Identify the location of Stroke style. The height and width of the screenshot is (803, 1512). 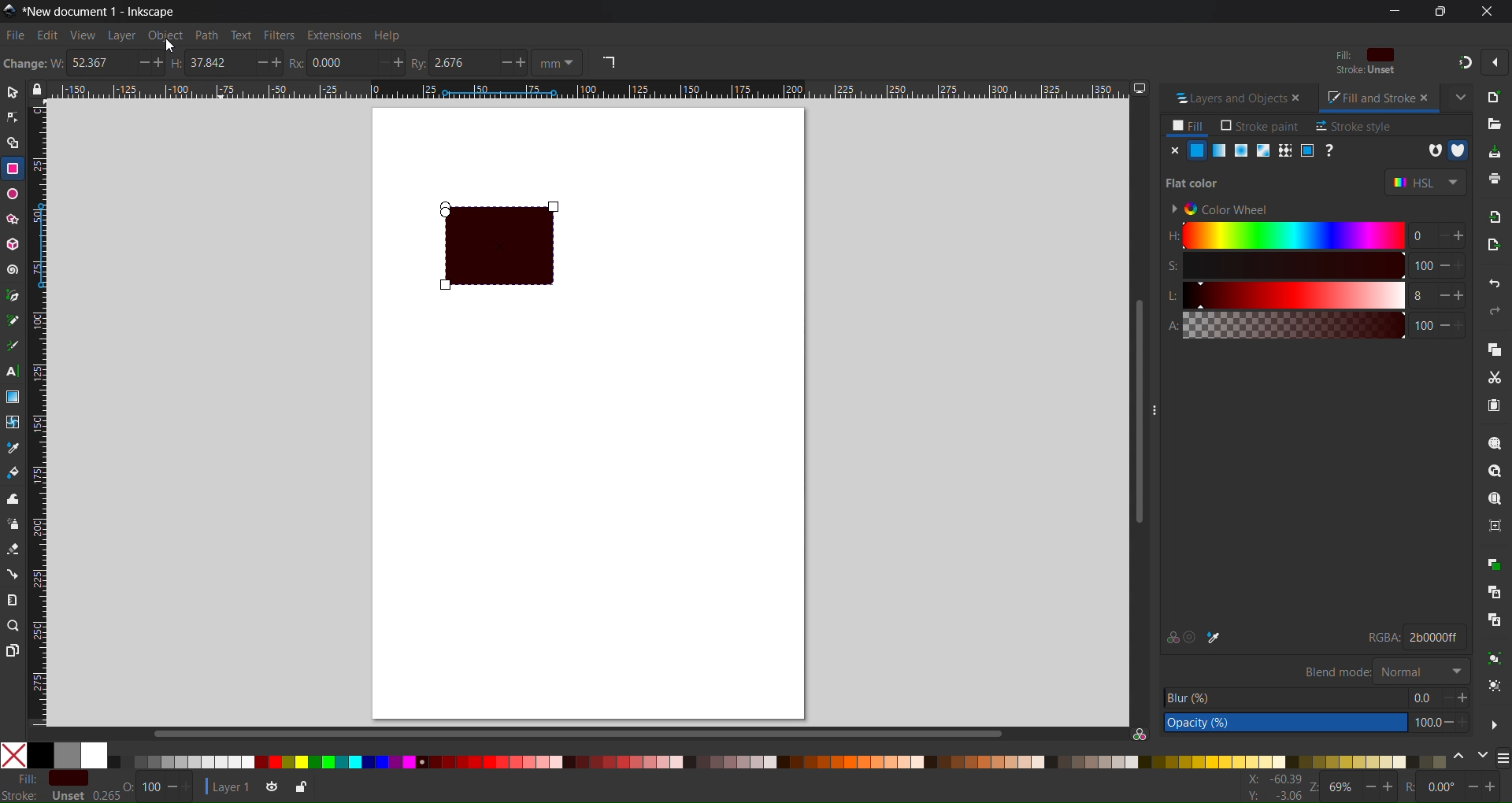
(1354, 126).